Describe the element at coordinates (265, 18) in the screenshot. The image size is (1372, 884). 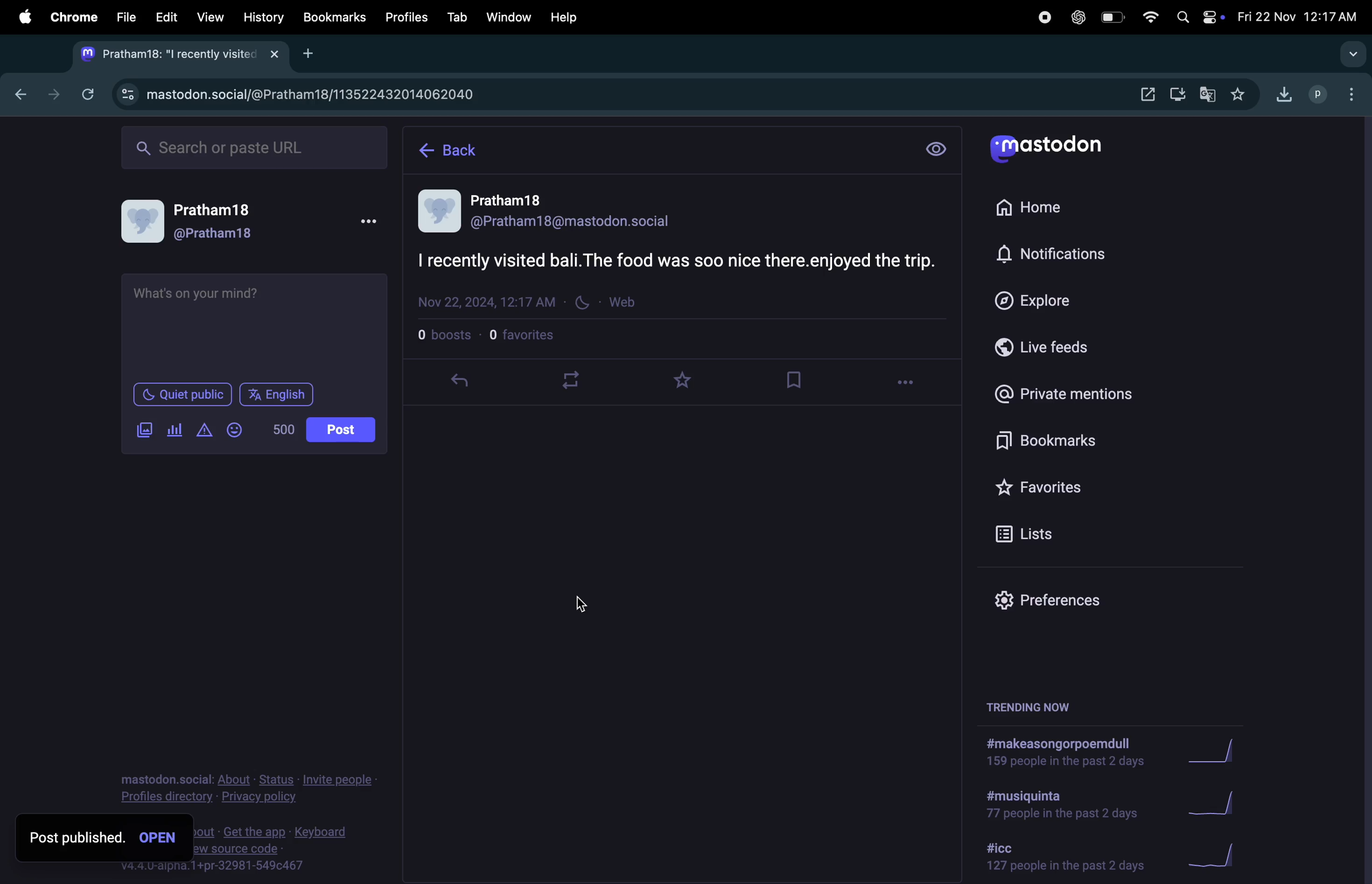
I see `history` at that location.